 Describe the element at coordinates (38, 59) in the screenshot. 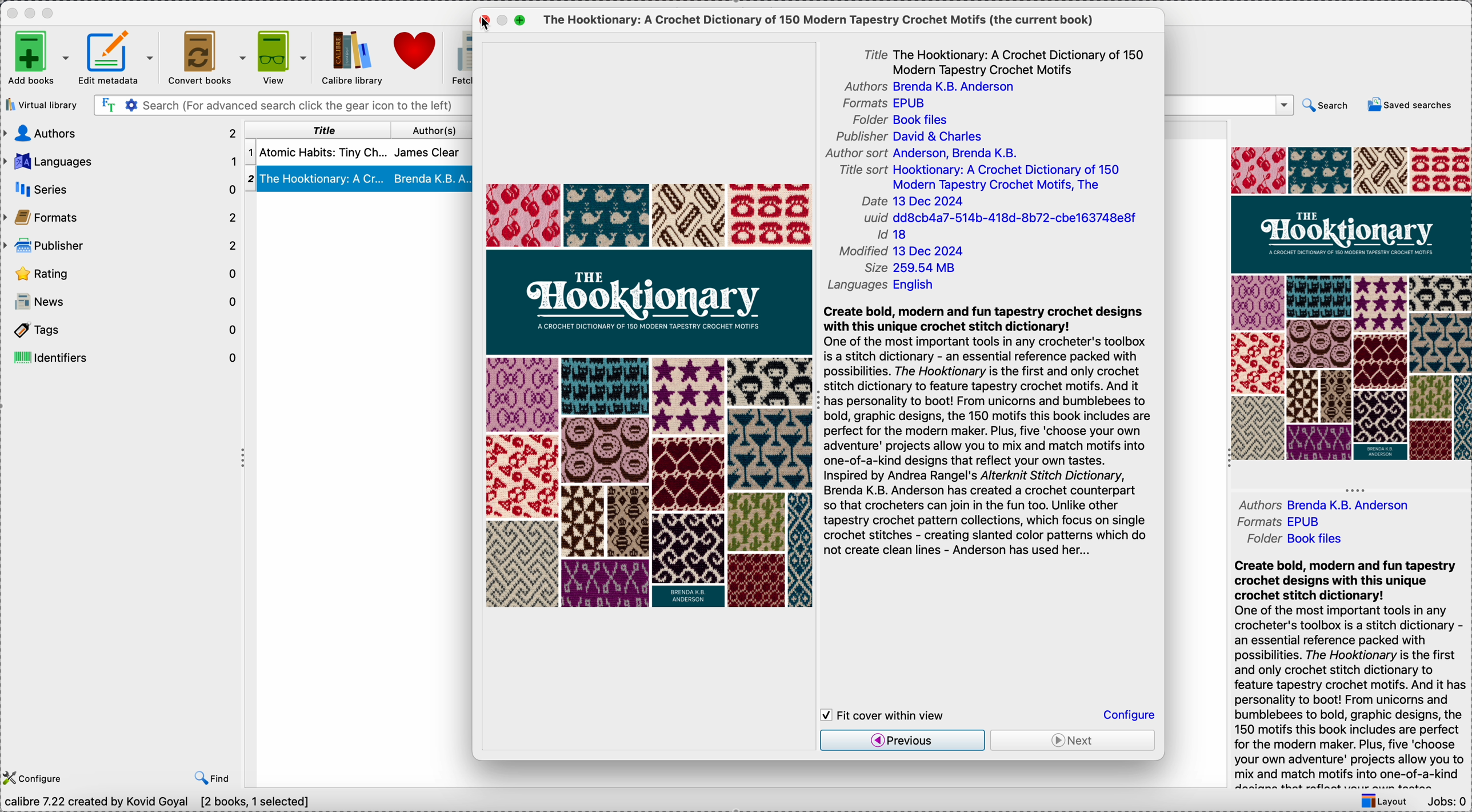

I see `add books` at that location.